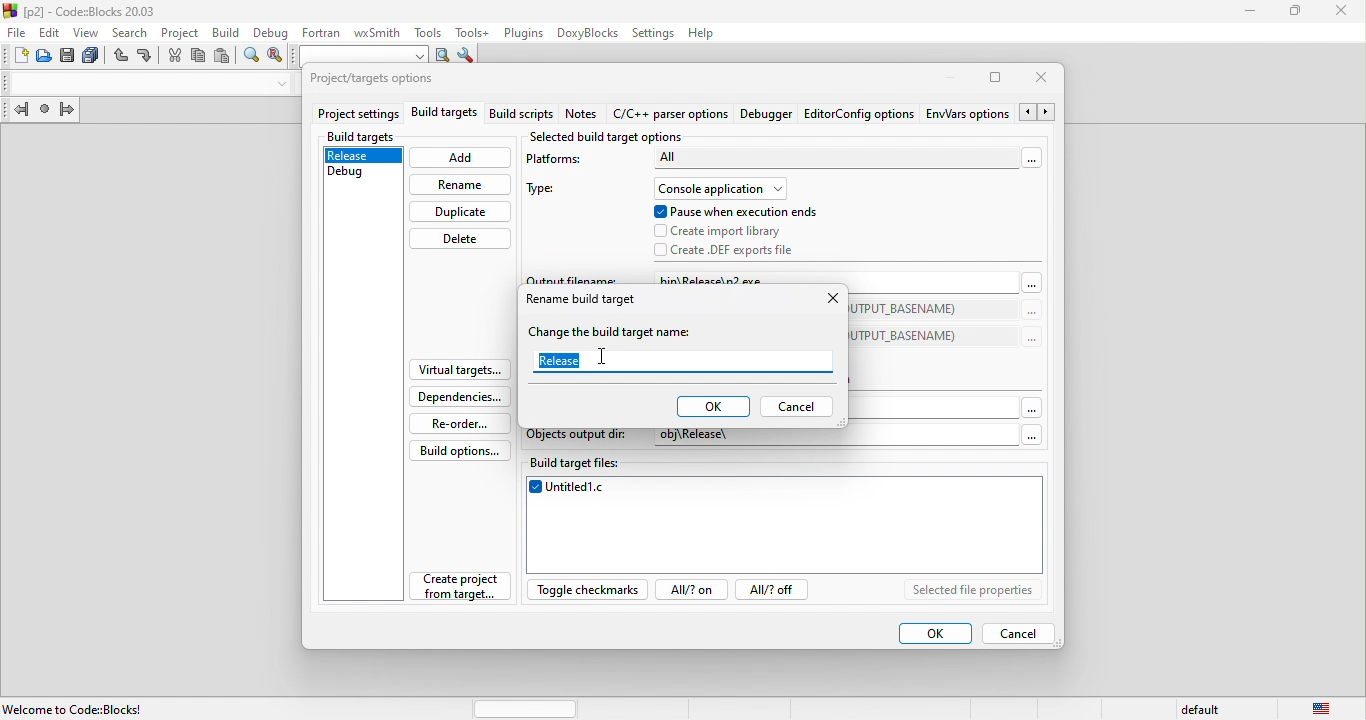 This screenshot has height=720, width=1366. Describe the element at coordinates (222, 57) in the screenshot. I see `paste` at that location.